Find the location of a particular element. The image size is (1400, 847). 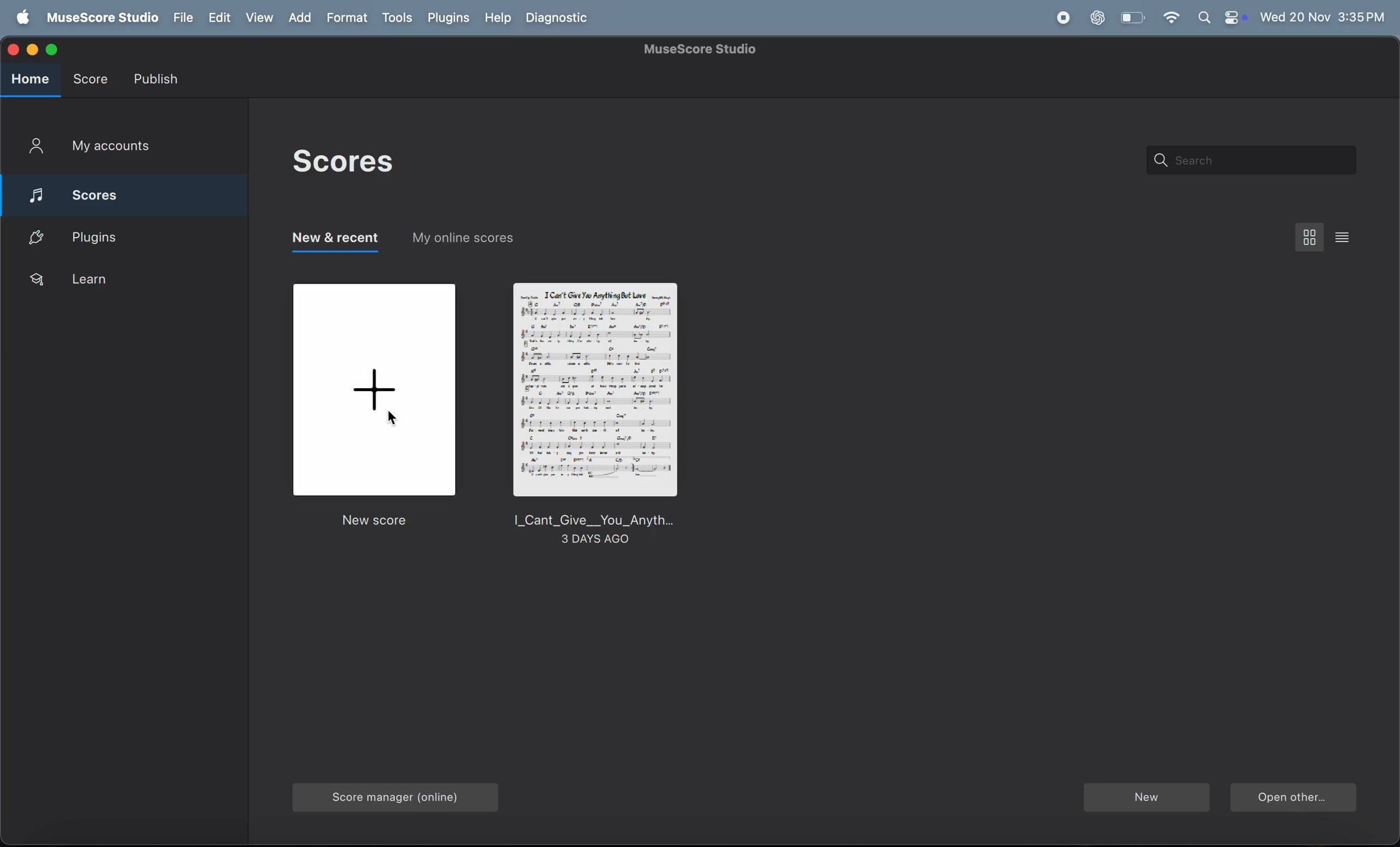

scores is located at coordinates (341, 162).